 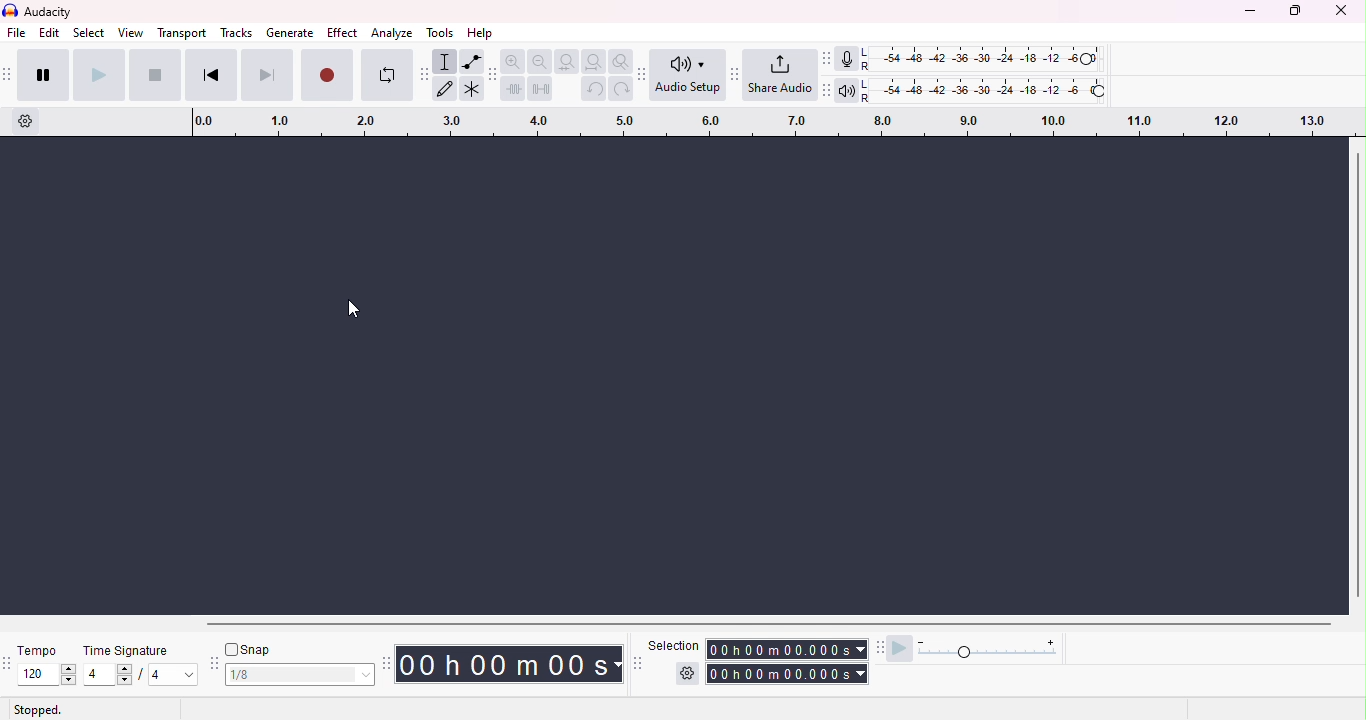 I want to click on total time, so click(x=789, y=674).